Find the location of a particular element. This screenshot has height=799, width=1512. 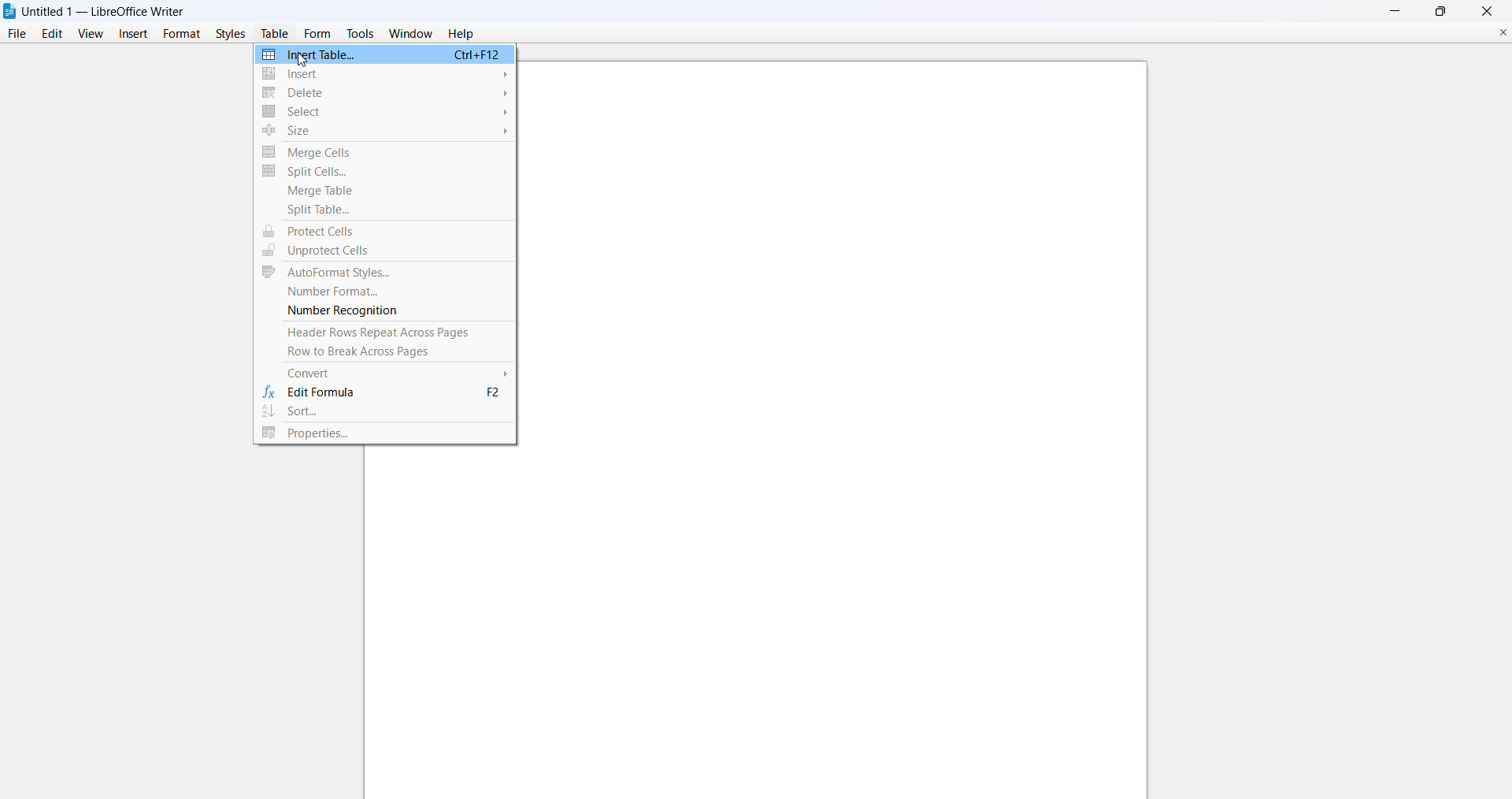

unprotect cells is located at coordinates (381, 251).